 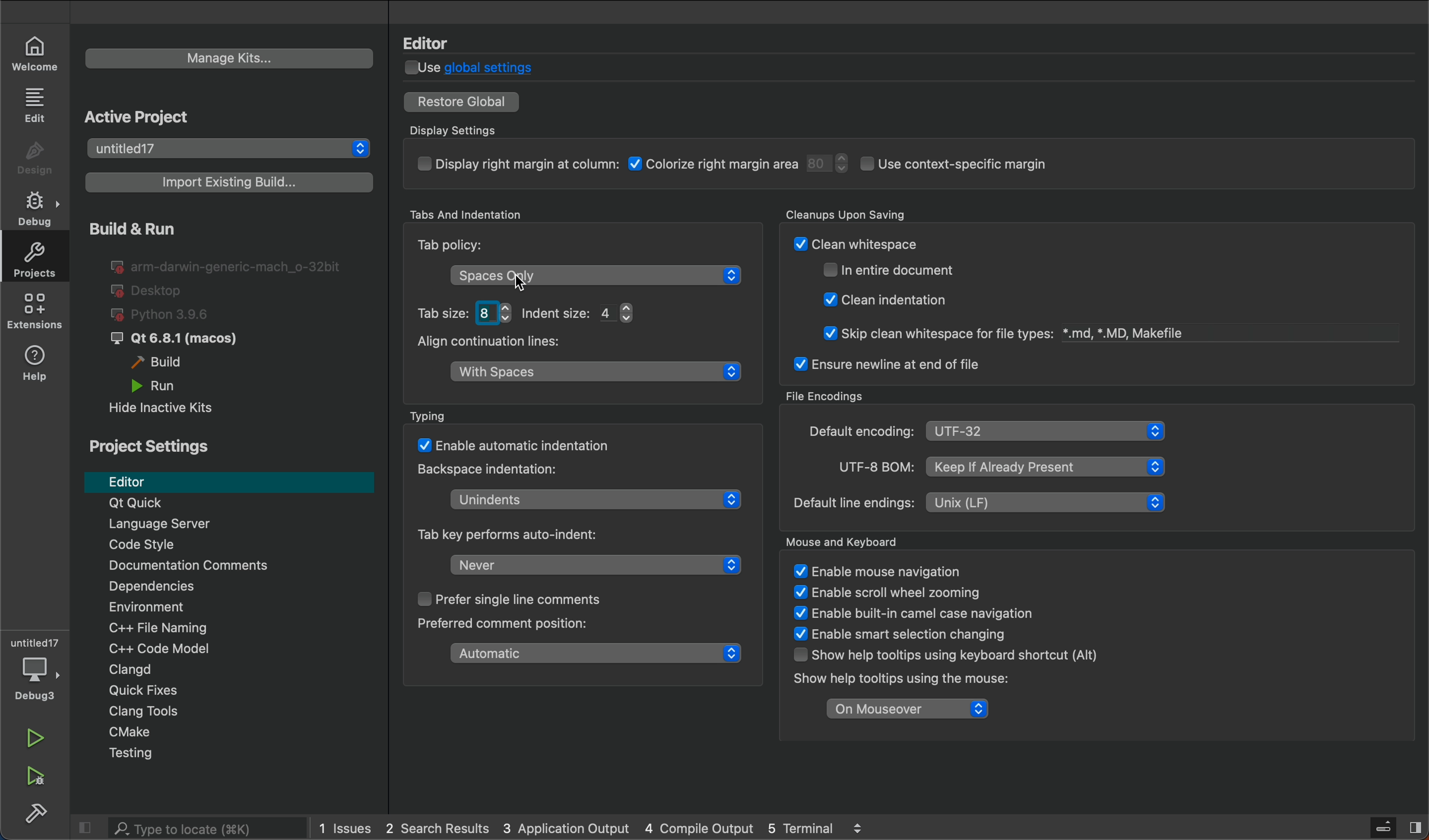 What do you see at coordinates (1384, 826) in the screenshot?
I see `Server` at bounding box center [1384, 826].